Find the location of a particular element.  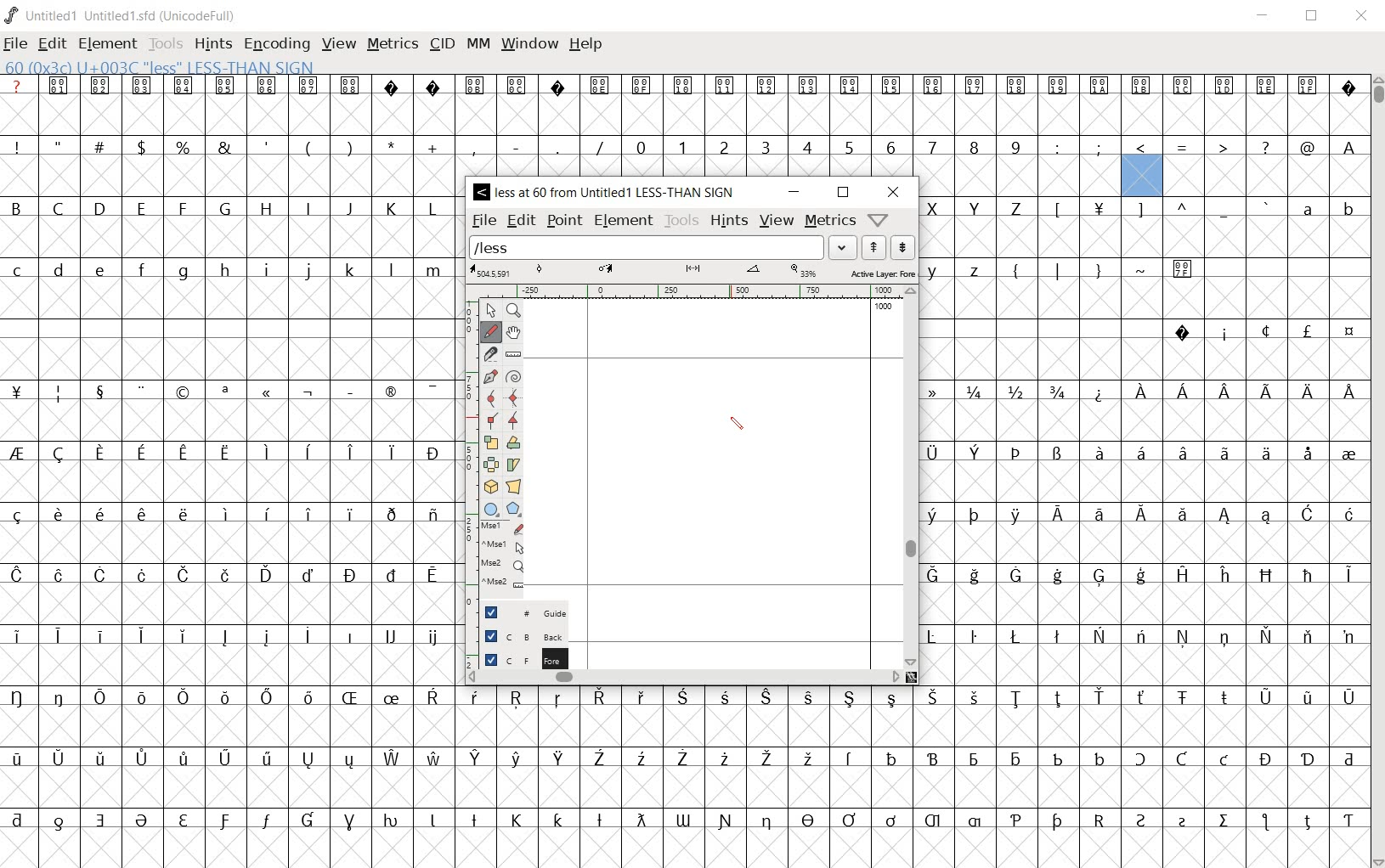

encoding is located at coordinates (274, 42).